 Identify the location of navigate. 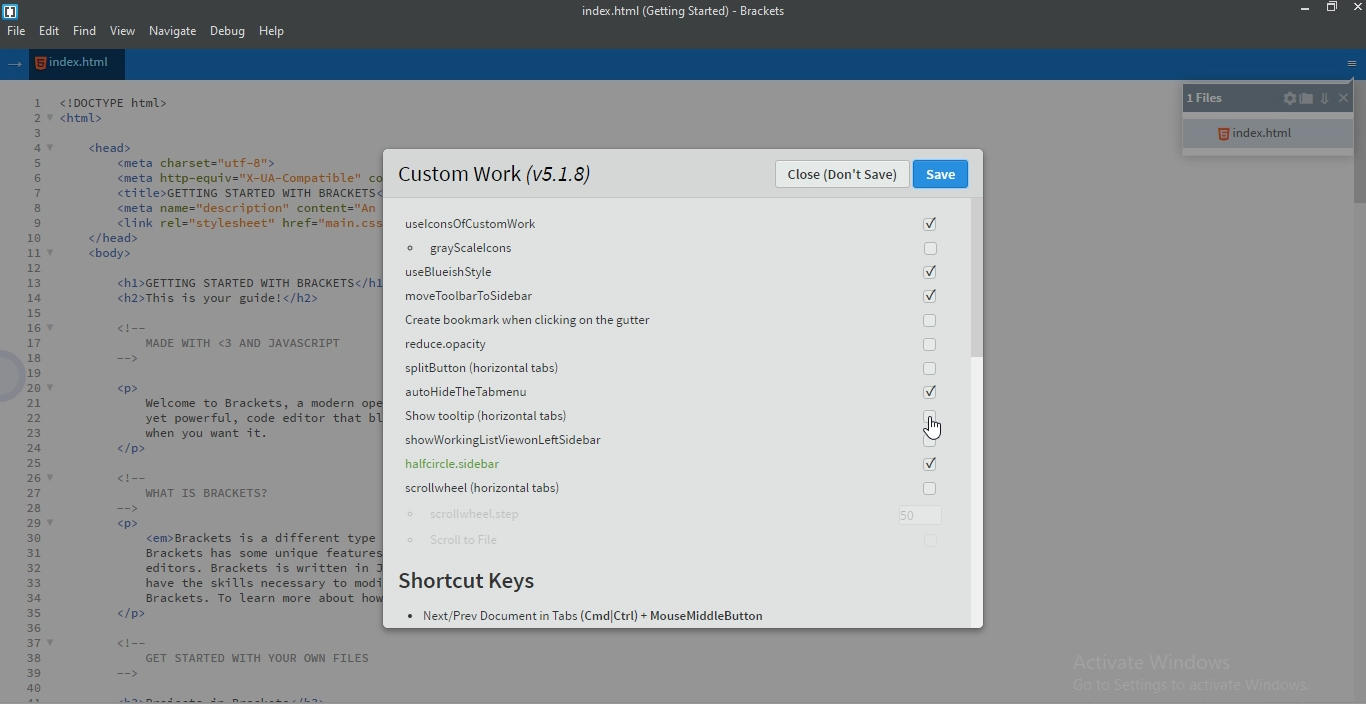
(174, 31).